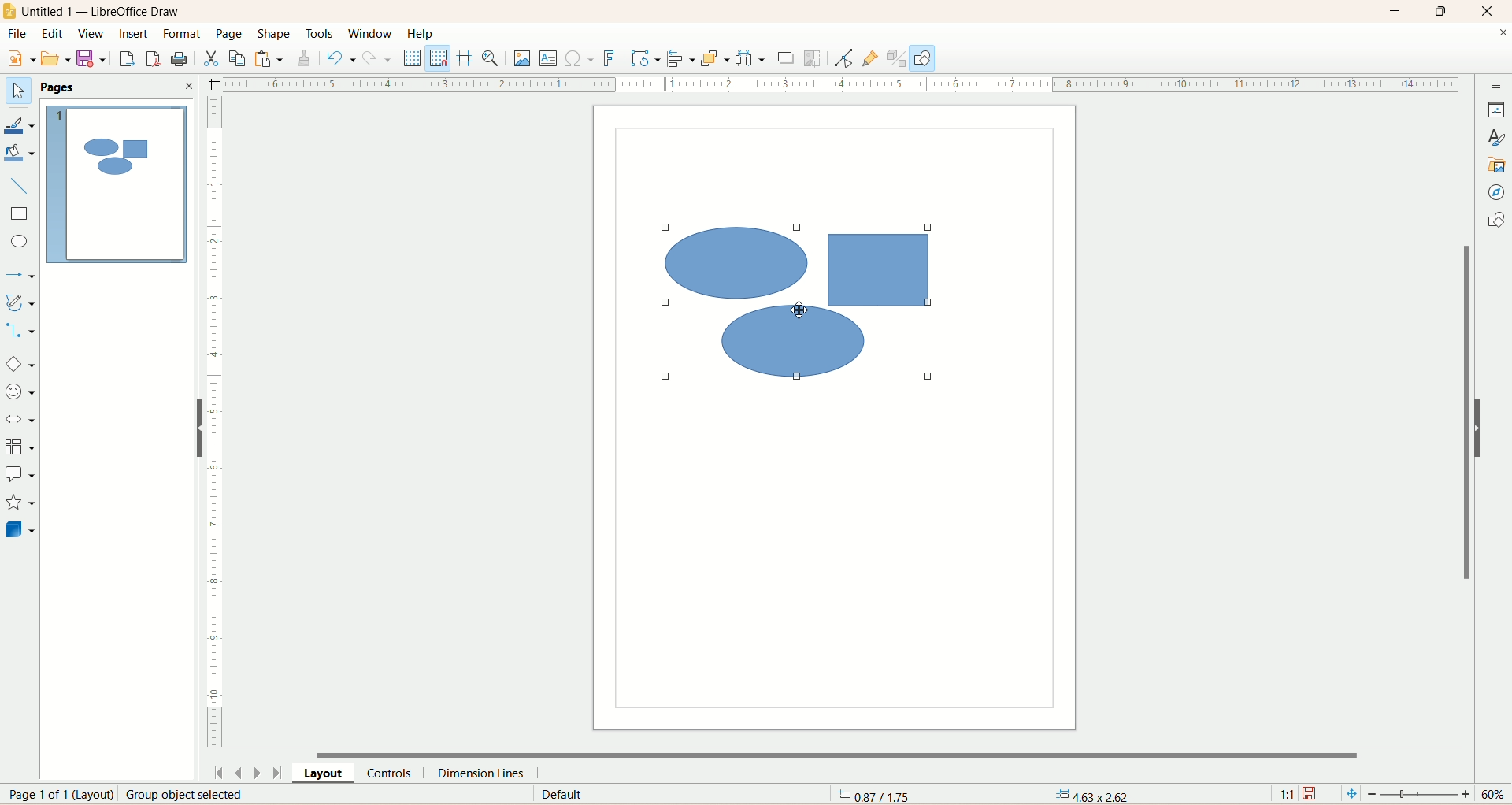 The image size is (1512, 805). Describe the element at coordinates (483, 773) in the screenshot. I see `dimension lines` at that location.